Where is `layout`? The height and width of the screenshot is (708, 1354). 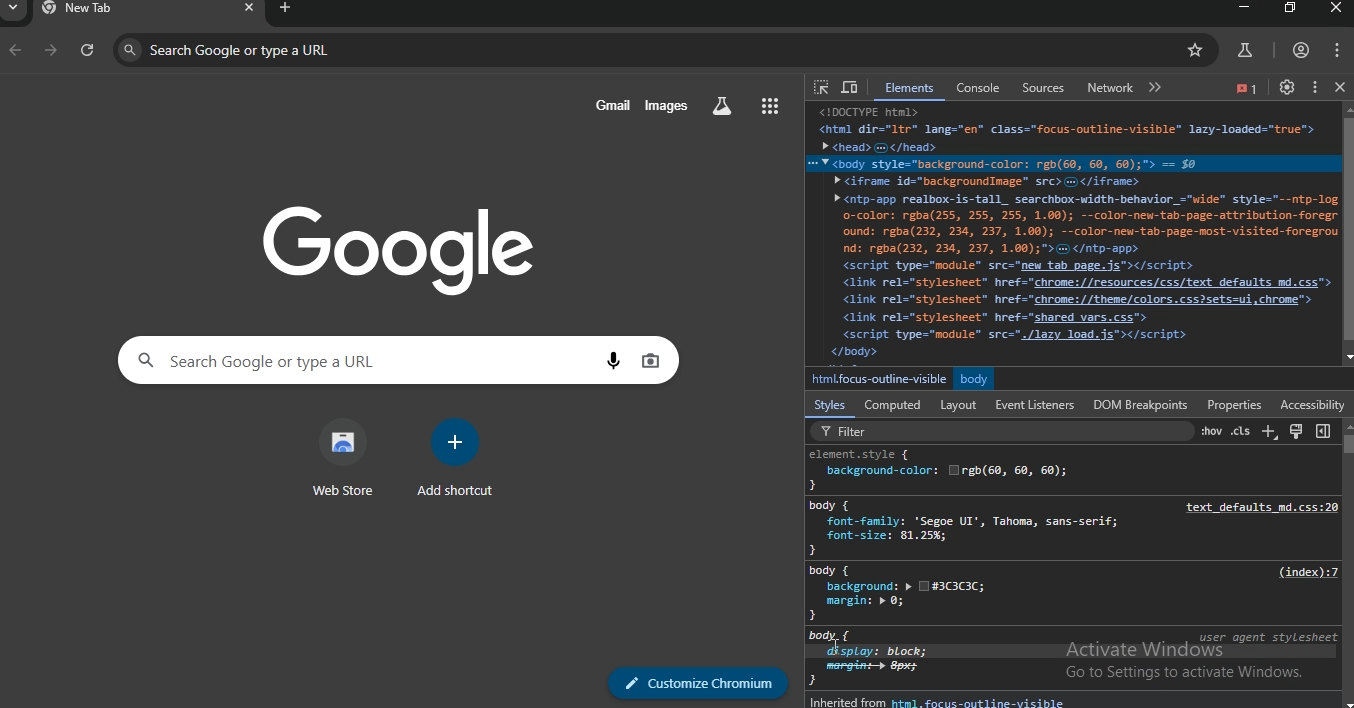
layout is located at coordinates (954, 404).